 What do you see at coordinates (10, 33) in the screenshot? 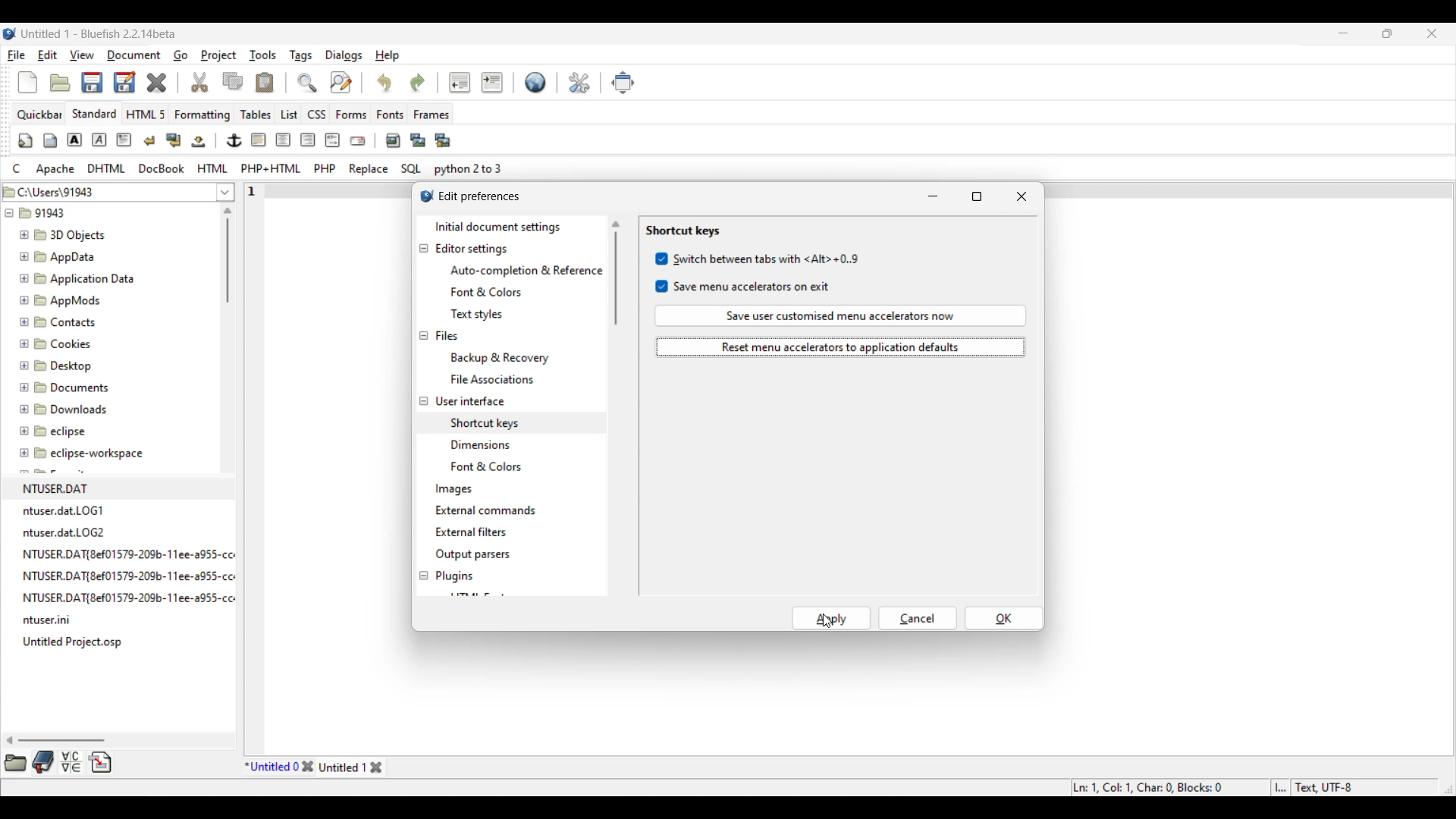
I see `Software logo` at bounding box center [10, 33].